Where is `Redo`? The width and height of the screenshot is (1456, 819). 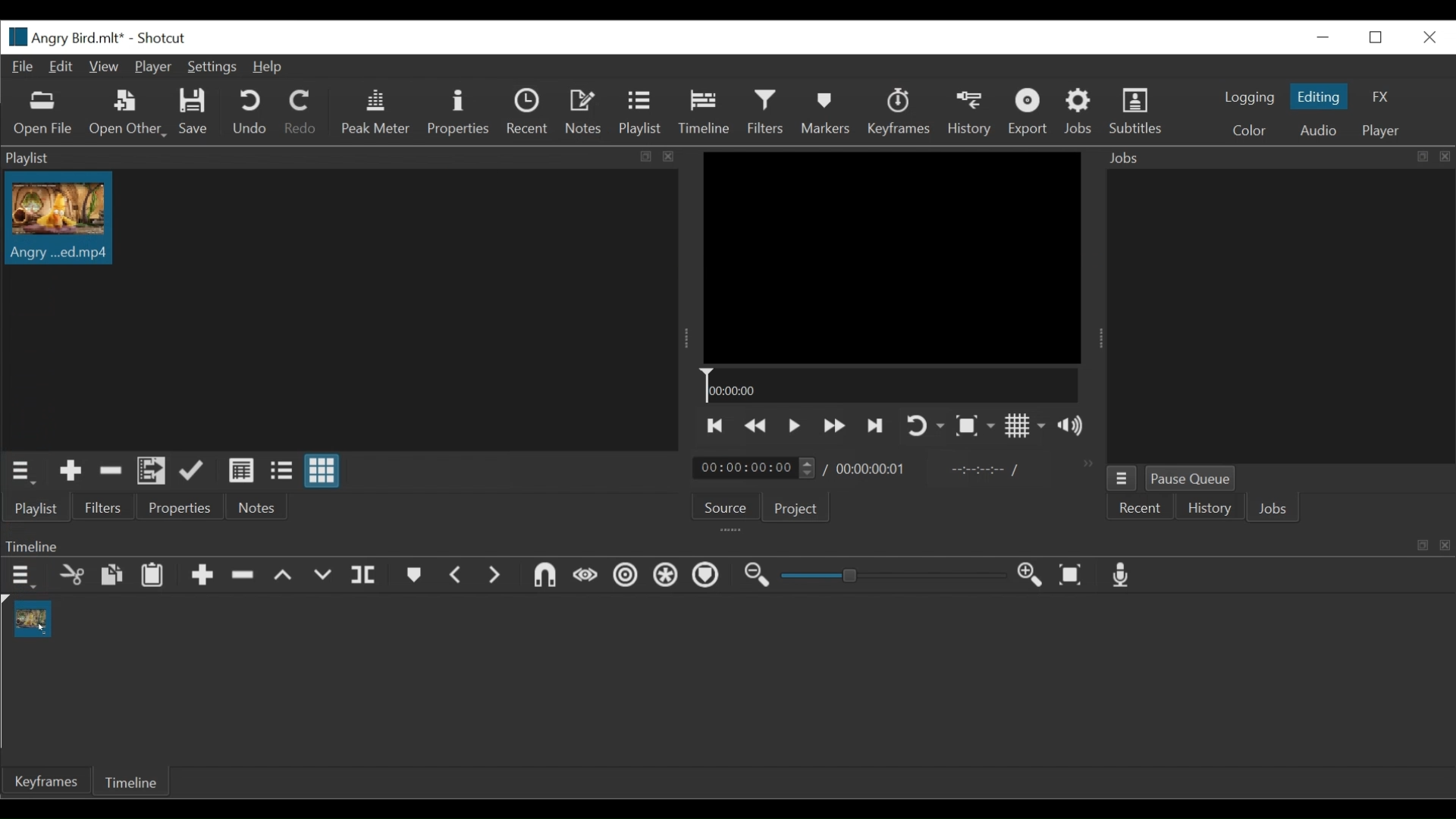
Redo is located at coordinates (299, 111).